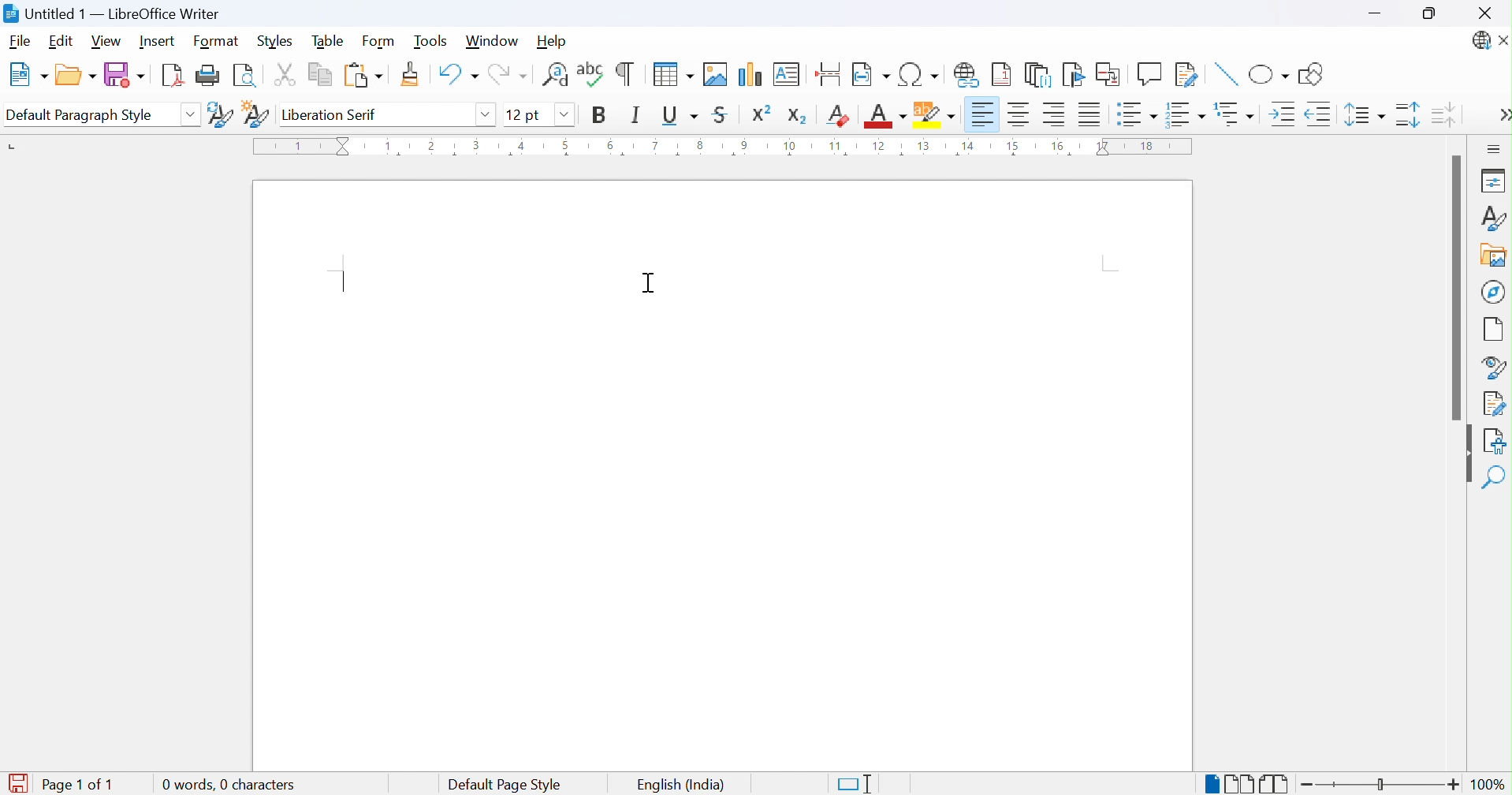  What do you see at coordinates (126, 75) in the screenshot?
I see `Save` at bounding box center [126, 75].